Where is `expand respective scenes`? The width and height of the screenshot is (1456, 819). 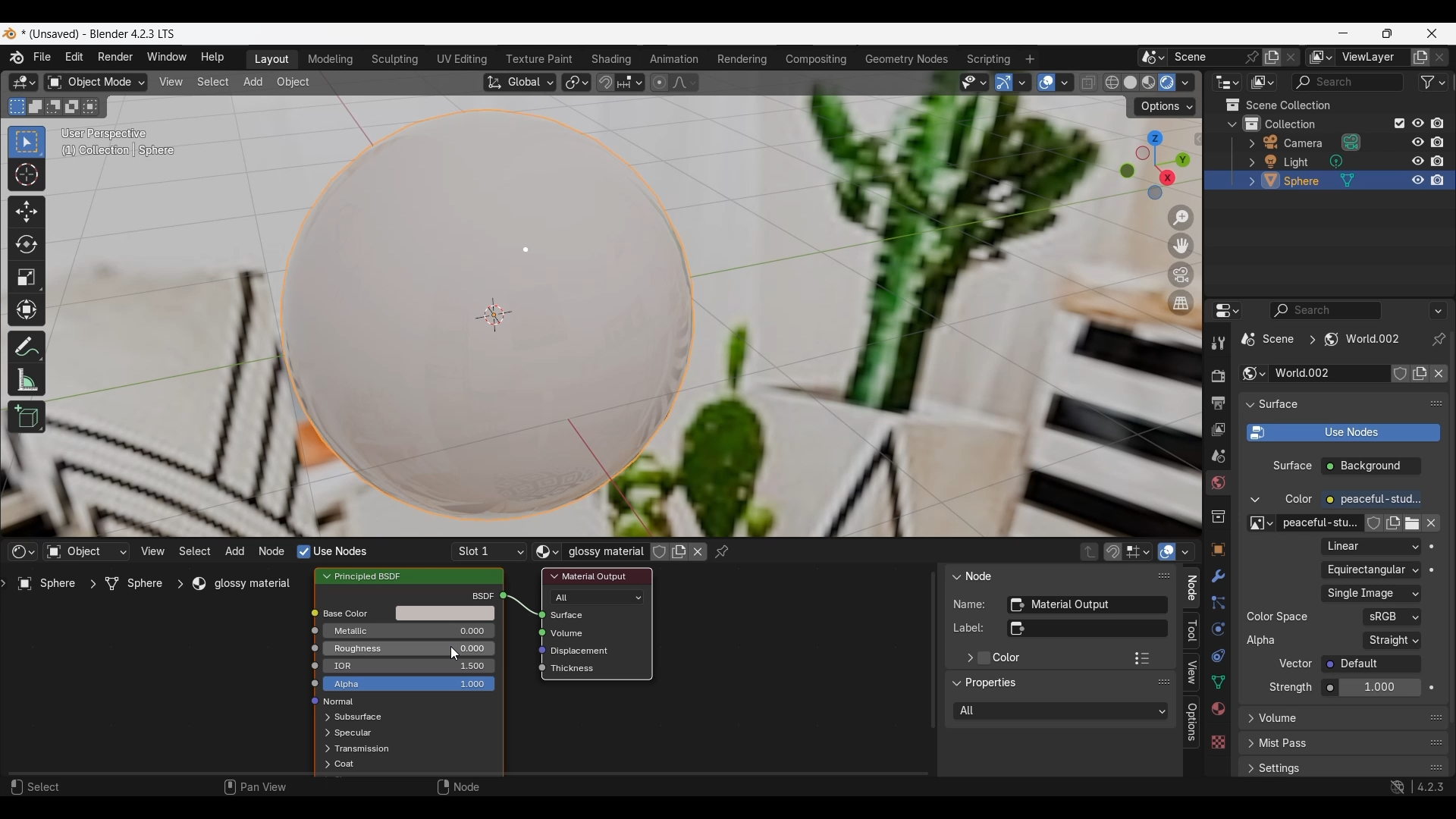 expand respective scenes is located at coordinates (322, 765).